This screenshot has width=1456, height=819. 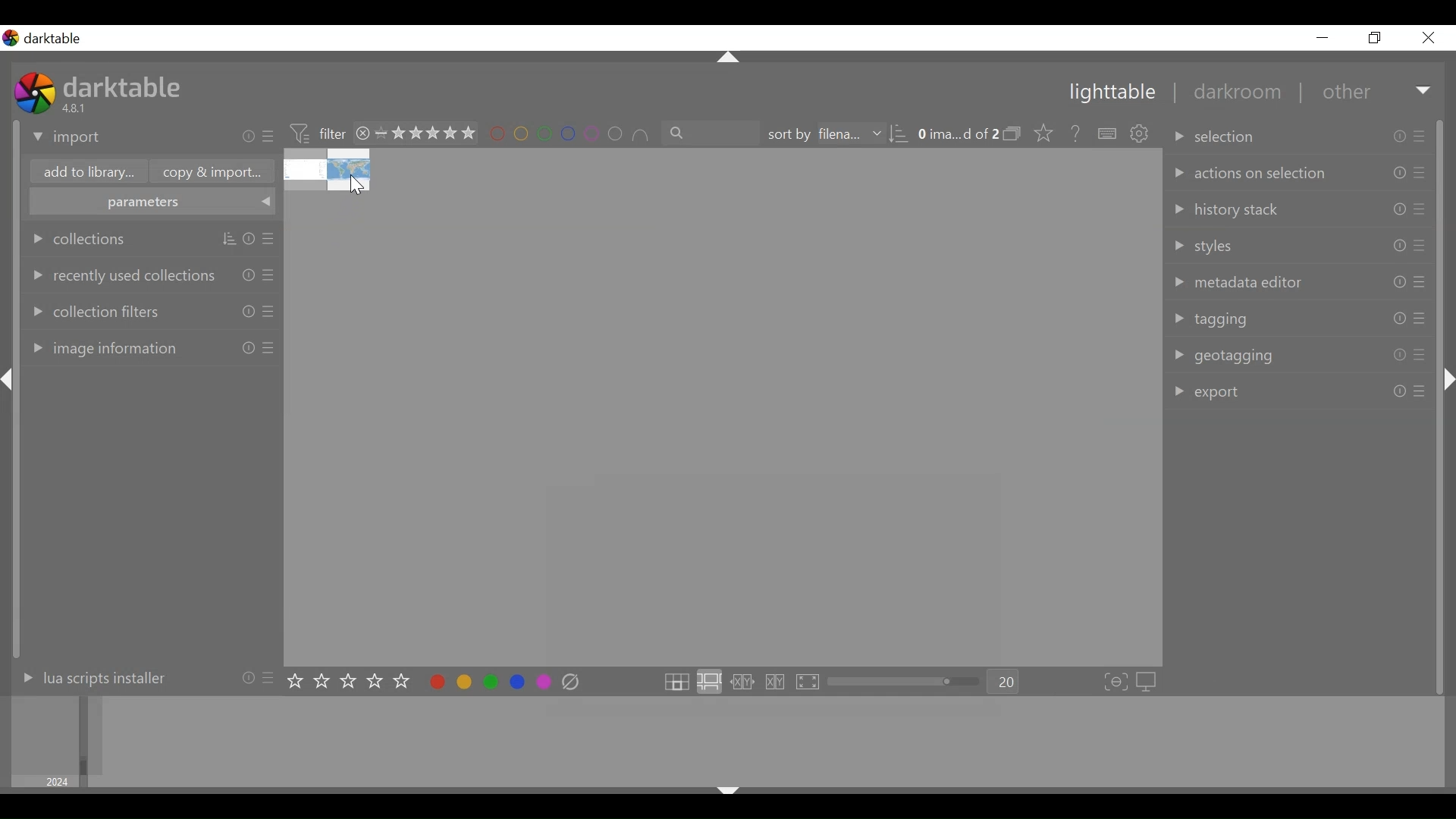 I want to click on , so click(x=1421, y=247).